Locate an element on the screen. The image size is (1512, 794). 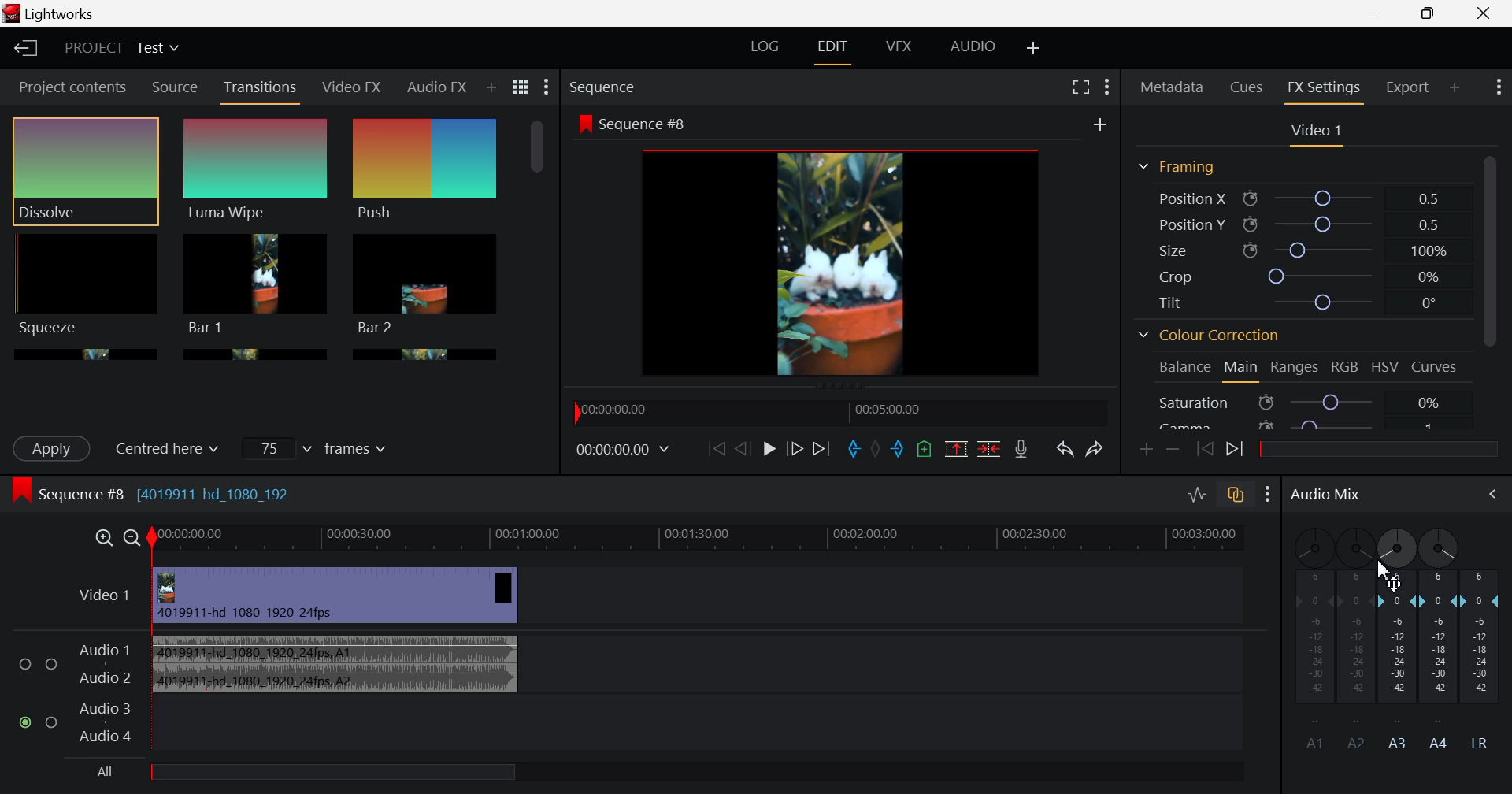
Centered here is located at coordinates (174, 447).